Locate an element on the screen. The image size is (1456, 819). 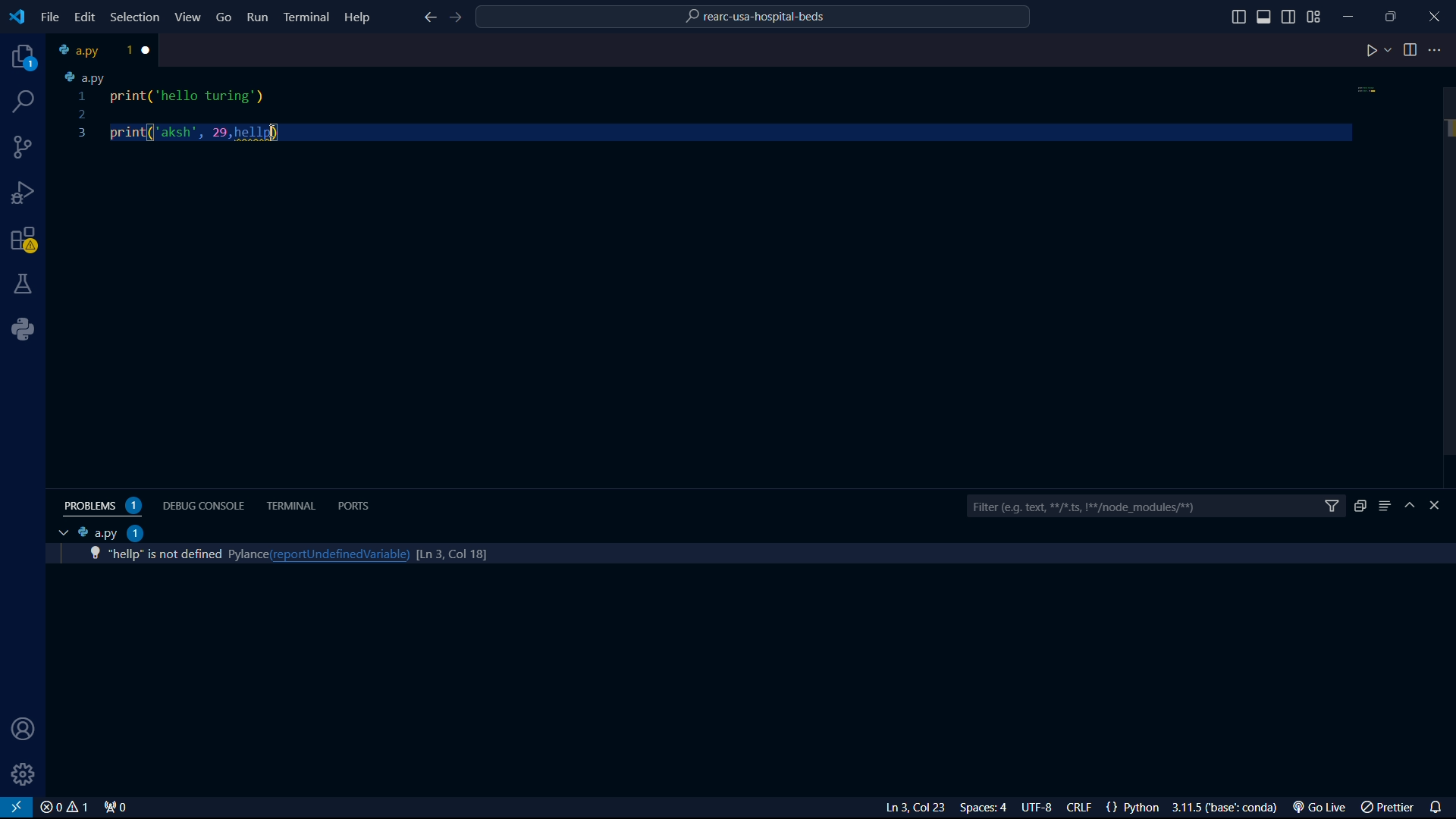
toggle sidebar is located at coordinates (1238, 17).